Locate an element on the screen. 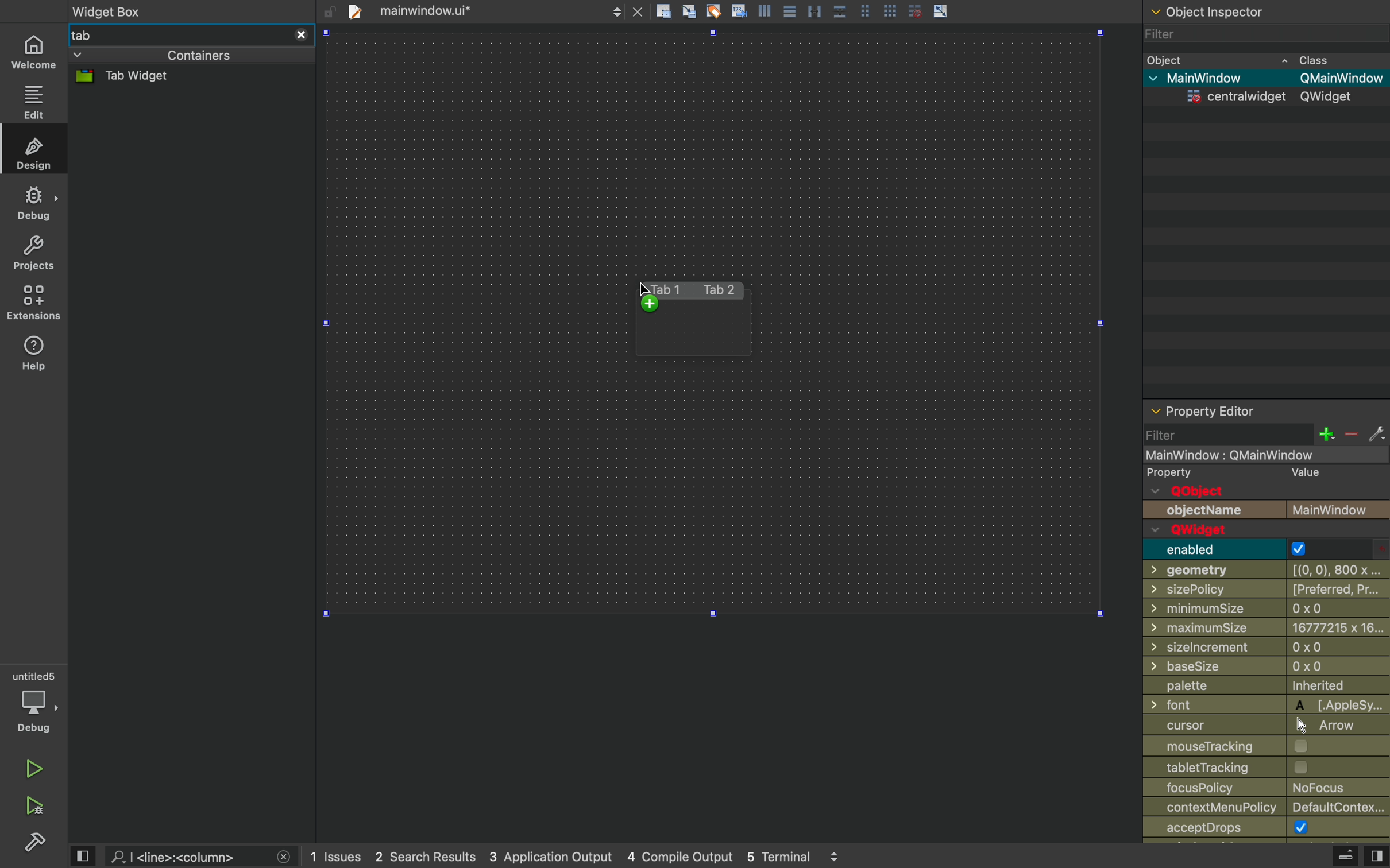 This screenshot has width=1390, height=868. qwidget is located at coordinates (1233, 530).